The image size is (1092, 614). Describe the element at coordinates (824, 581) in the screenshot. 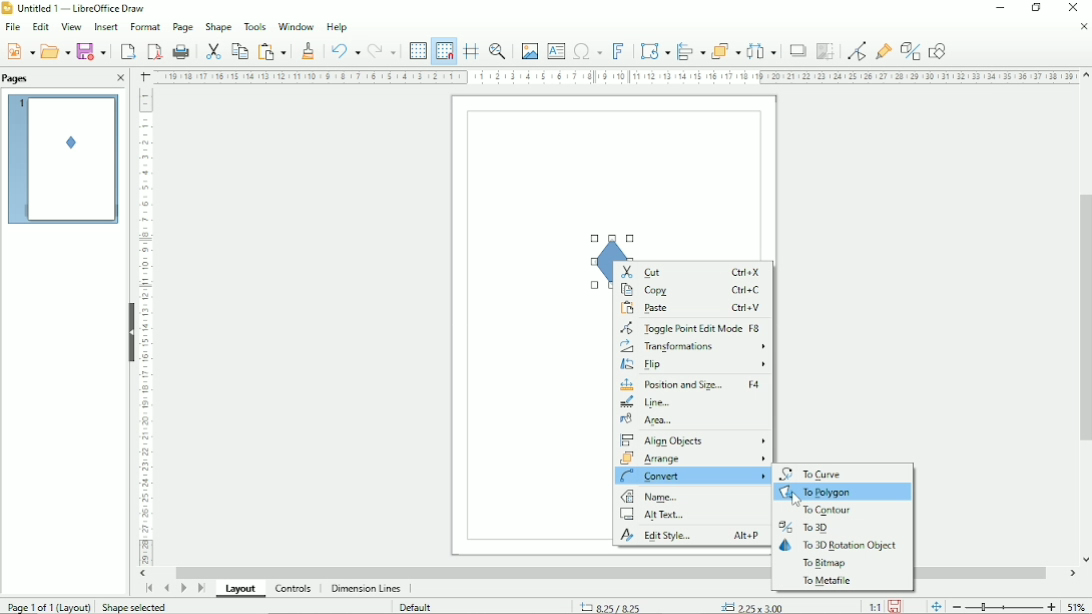

I see `To metafile` at that location.